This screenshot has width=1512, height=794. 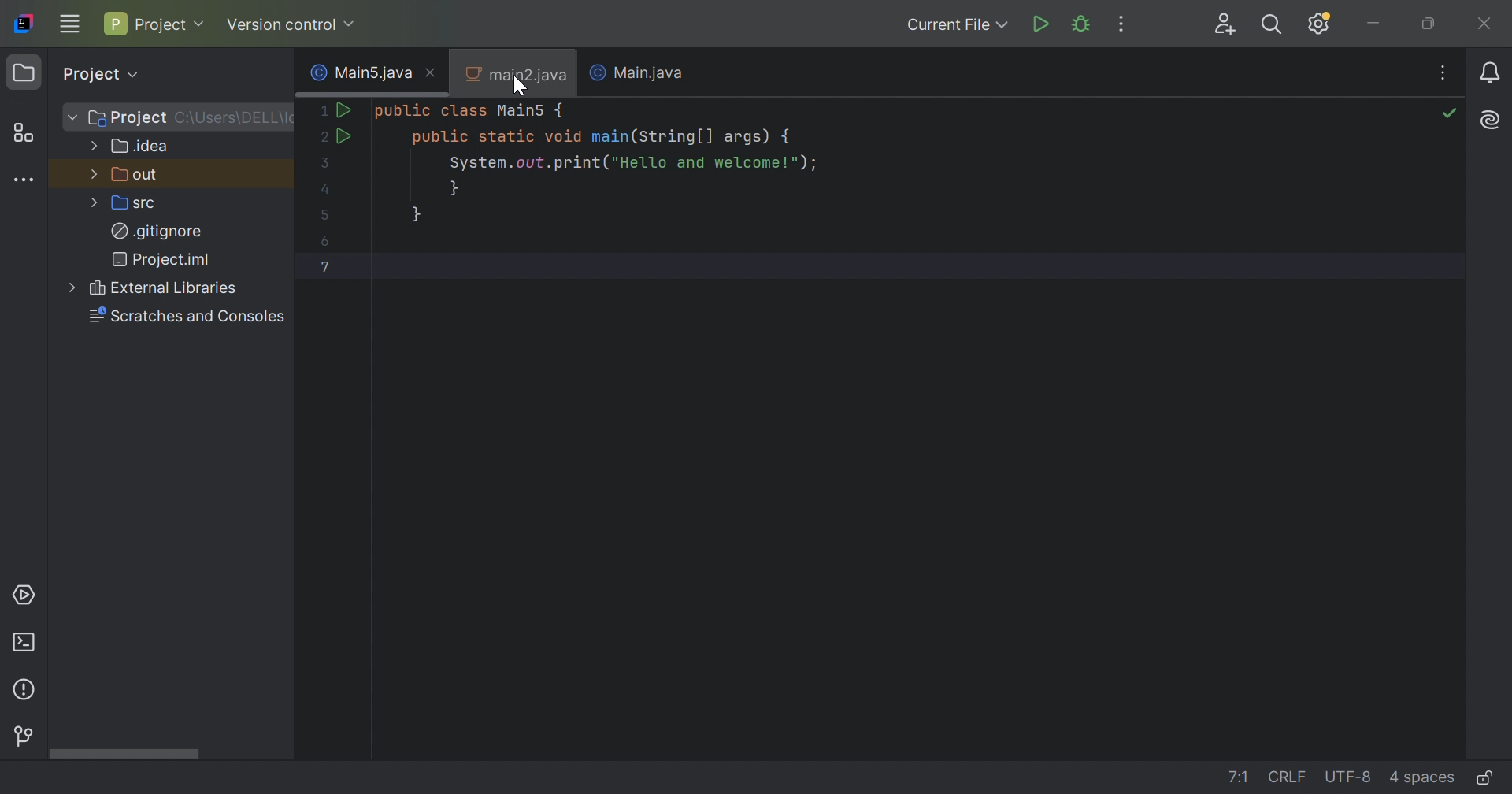 What do you see at coordinates (1491, 120) in the screenshot?
I see `AI Assistant` at bounding box center [1491, 120].